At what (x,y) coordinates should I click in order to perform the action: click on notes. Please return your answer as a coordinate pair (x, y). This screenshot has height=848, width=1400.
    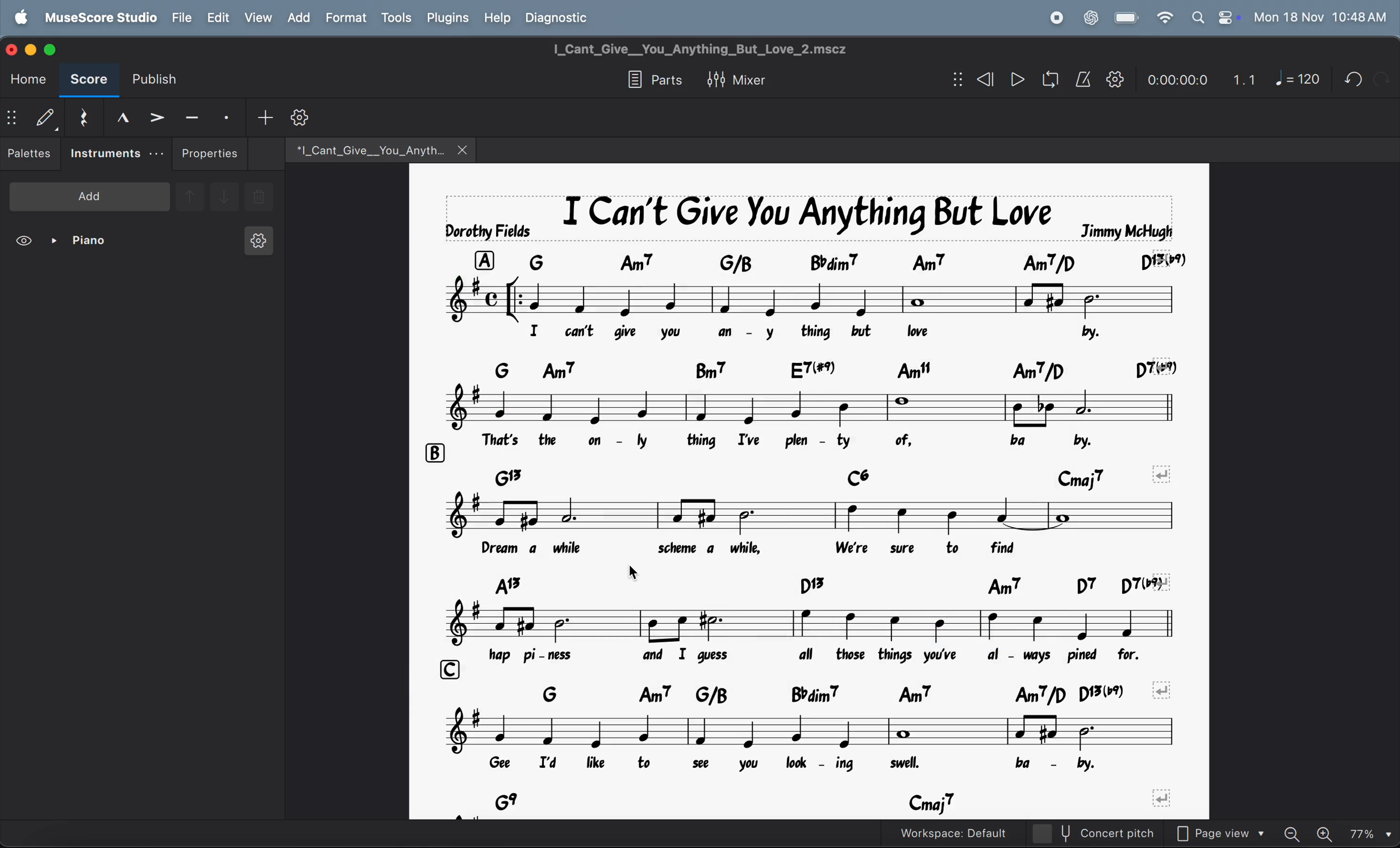
    Looking at the image, I should click on (815, 619).